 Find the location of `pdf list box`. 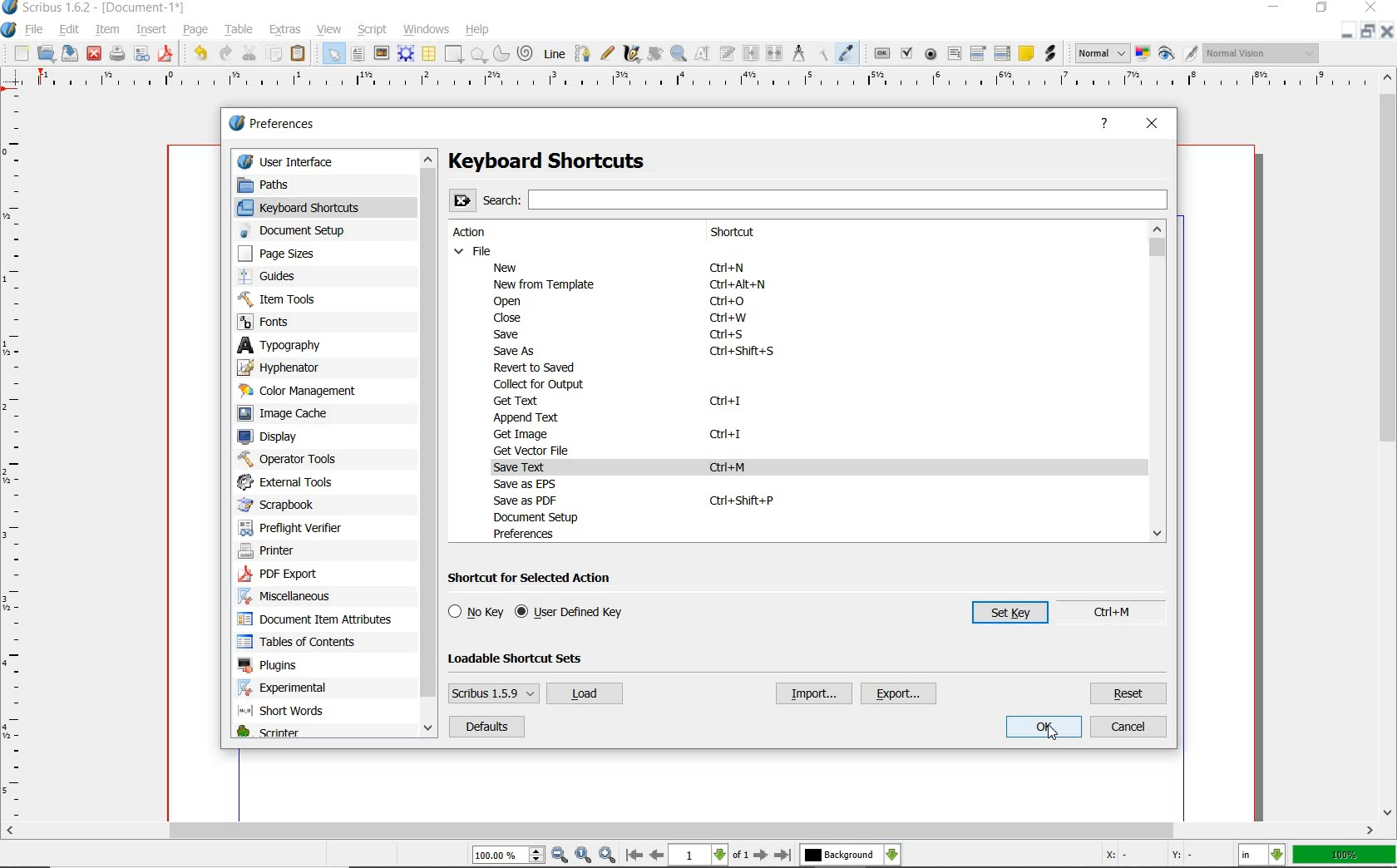

pdf list box is located at coordinates (1001, 54).